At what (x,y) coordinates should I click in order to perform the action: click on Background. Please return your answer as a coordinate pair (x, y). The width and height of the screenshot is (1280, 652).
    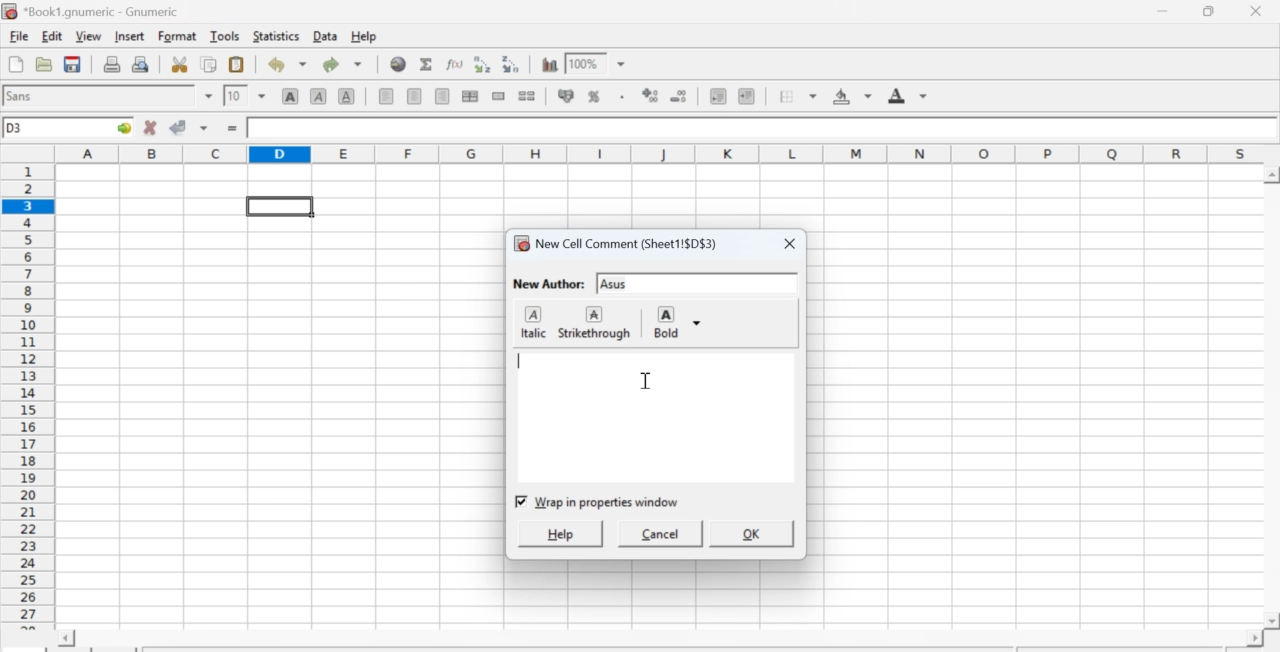
    Looking at the image, I should click on (853, 95).